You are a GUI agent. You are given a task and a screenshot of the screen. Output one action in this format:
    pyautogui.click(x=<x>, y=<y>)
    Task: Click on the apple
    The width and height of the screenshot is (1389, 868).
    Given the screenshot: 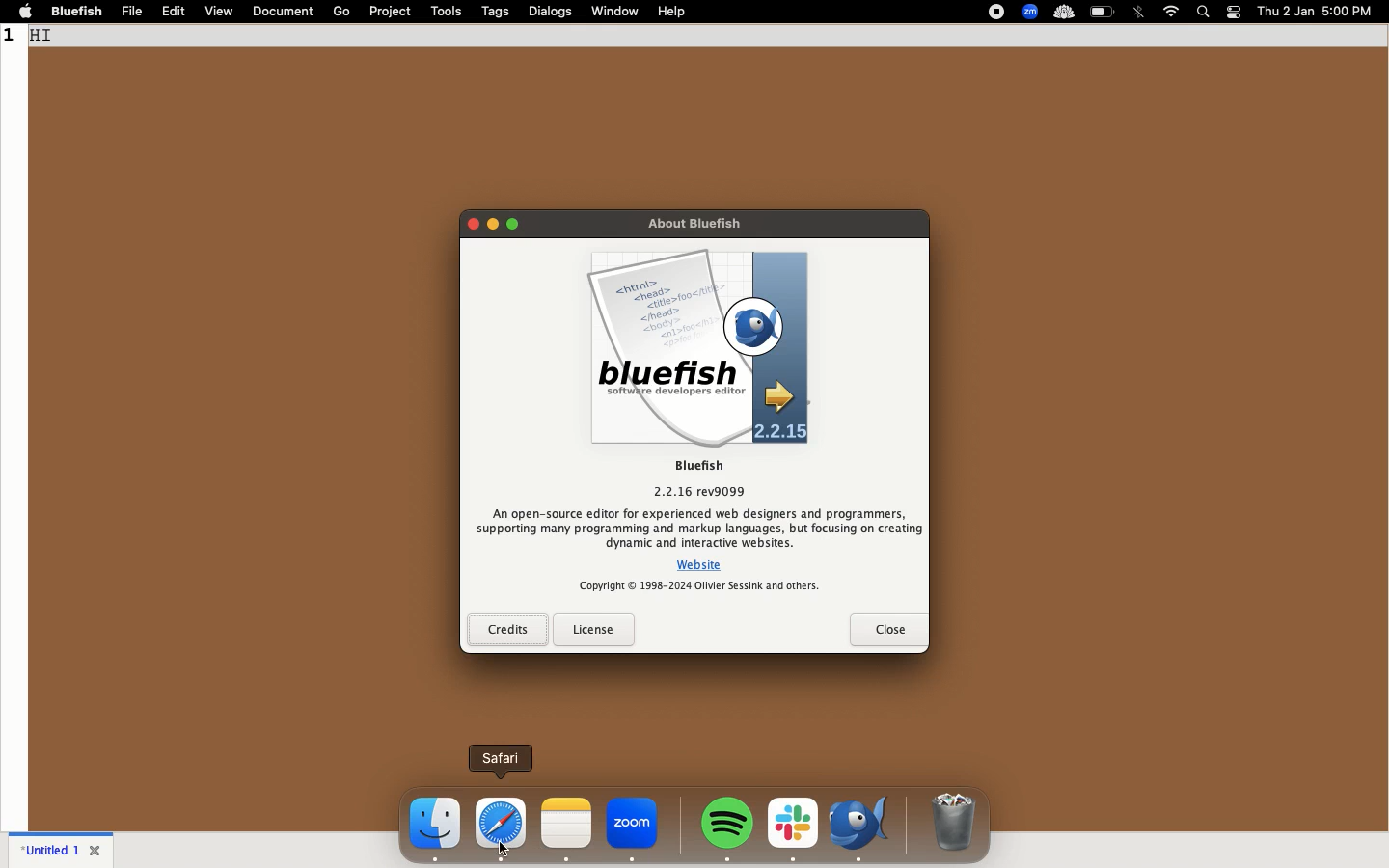 What is the action you would take?
    pyautogui.click(x=24, y=10)
    